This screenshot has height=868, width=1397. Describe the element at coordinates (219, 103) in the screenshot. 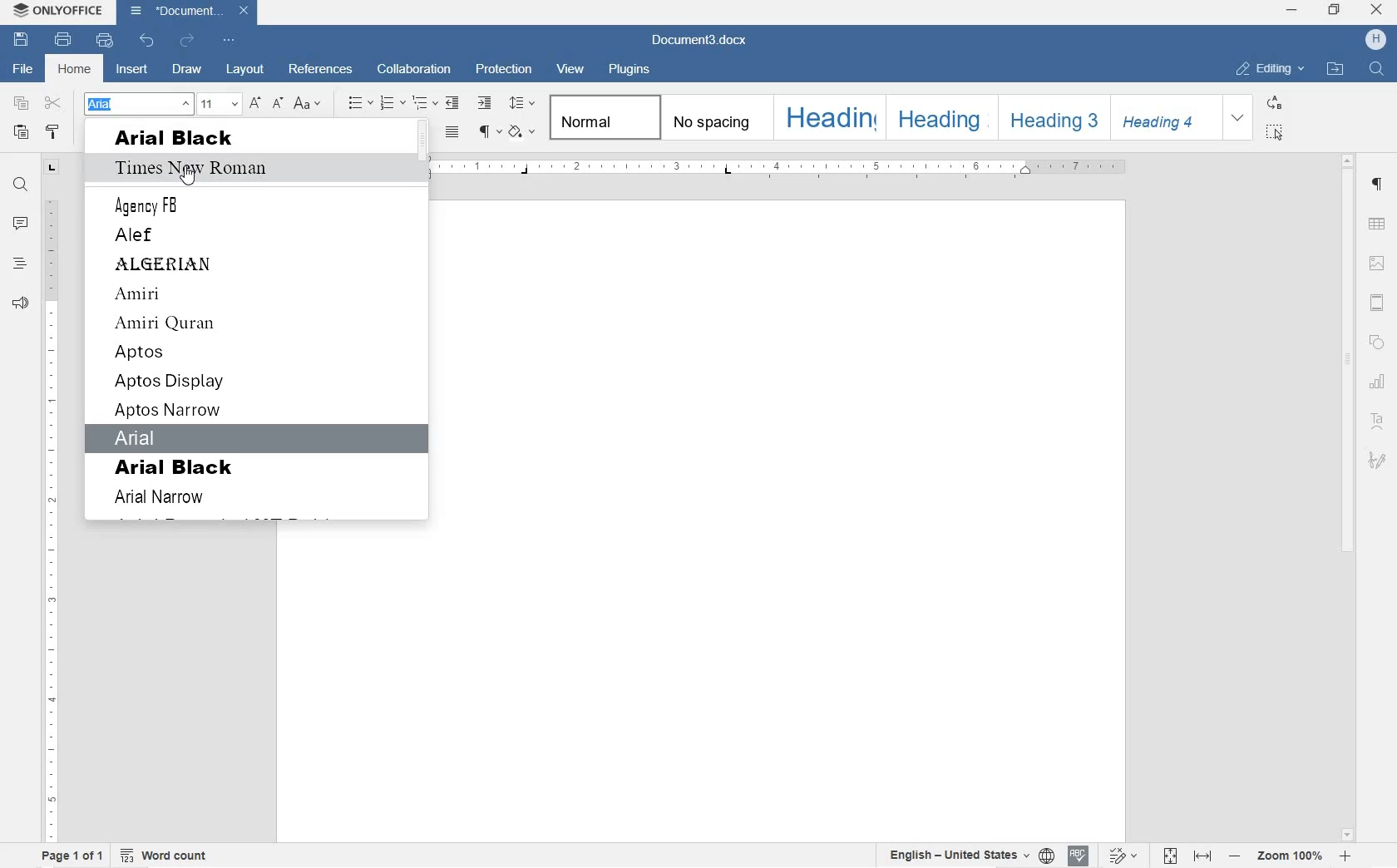

I see `FONT SIZE` at that location.